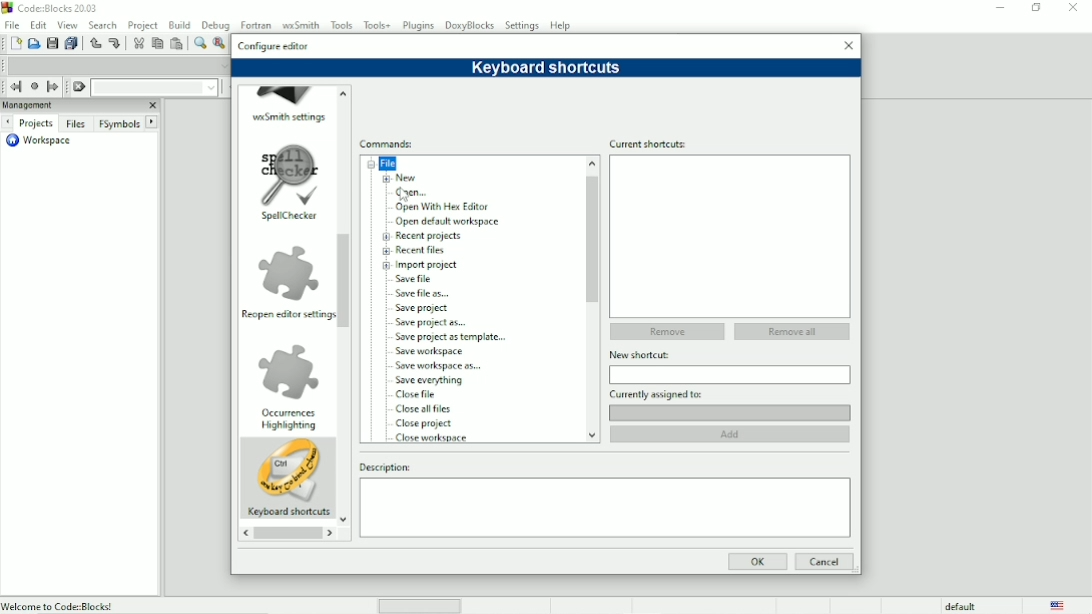  I want to click on Minimize, so click(996, 8).